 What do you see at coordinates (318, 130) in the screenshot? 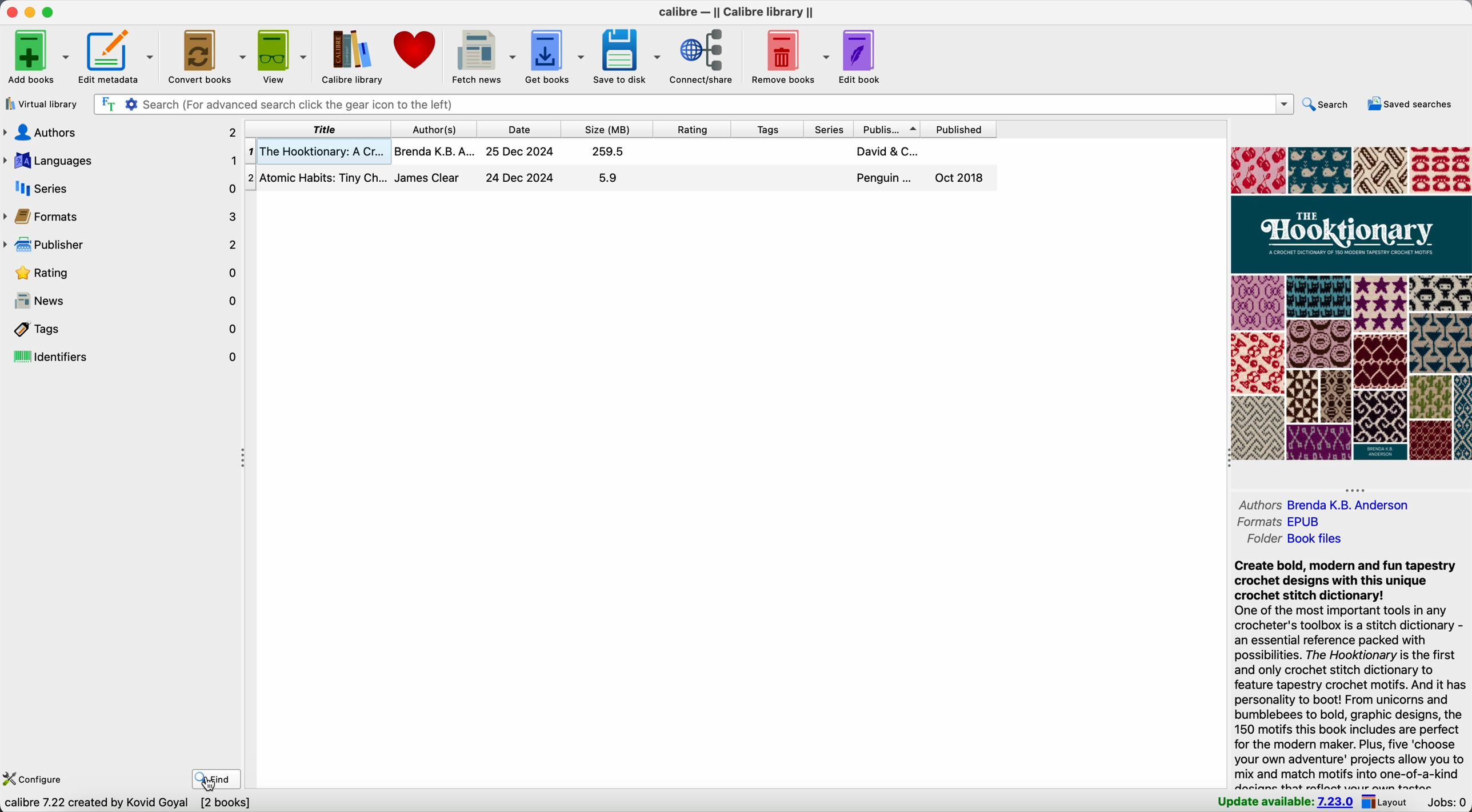
I see `title` at bounding box center [318, 130].